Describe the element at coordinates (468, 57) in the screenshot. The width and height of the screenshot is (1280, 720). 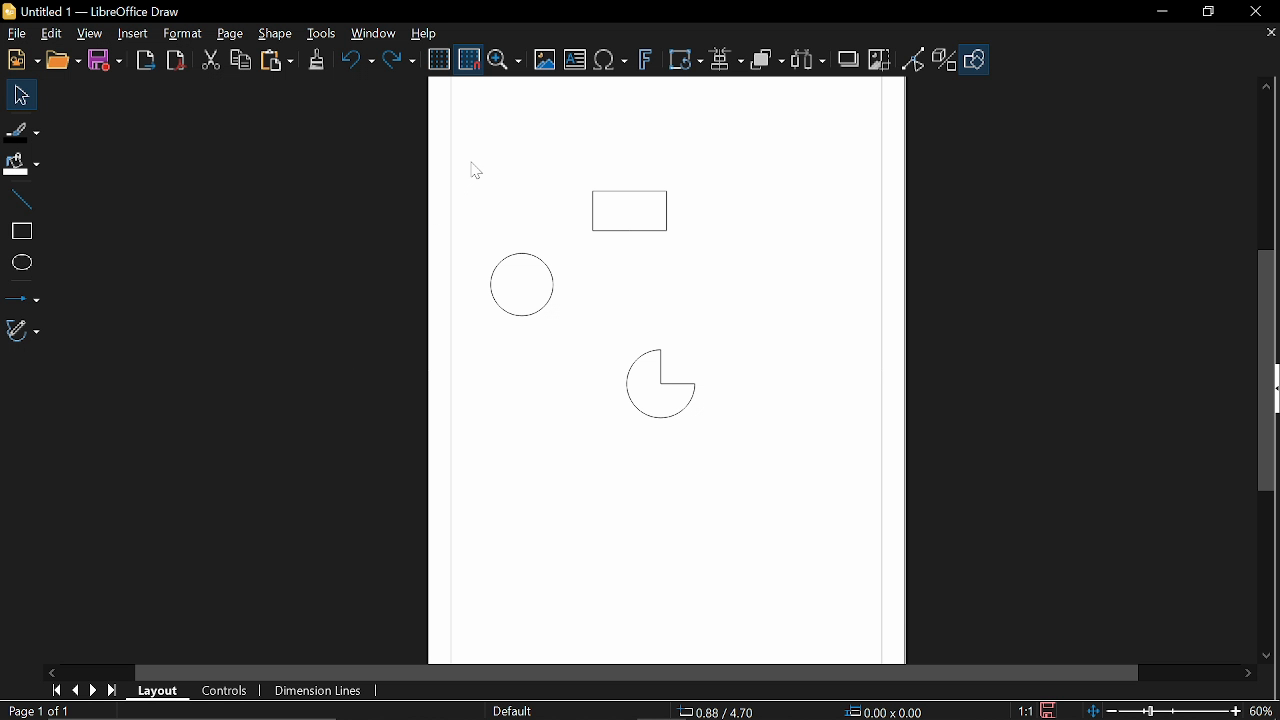
I see `Snap to grid` at that location.